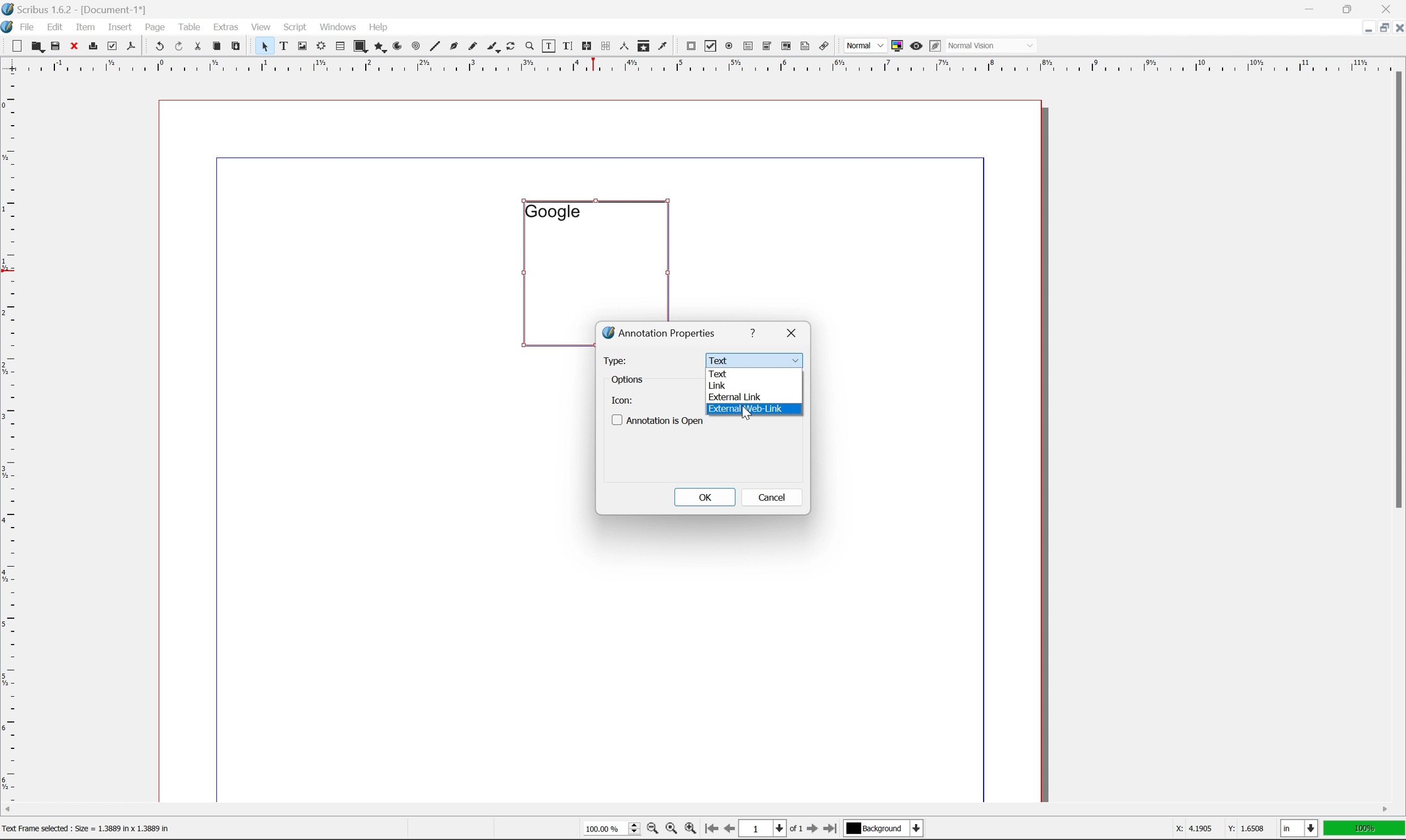  Describe the element at coordinates (87, 830) in the screenshot. I see `text frame selected; size = 1.3889 in x 1.3889 in` at that location.